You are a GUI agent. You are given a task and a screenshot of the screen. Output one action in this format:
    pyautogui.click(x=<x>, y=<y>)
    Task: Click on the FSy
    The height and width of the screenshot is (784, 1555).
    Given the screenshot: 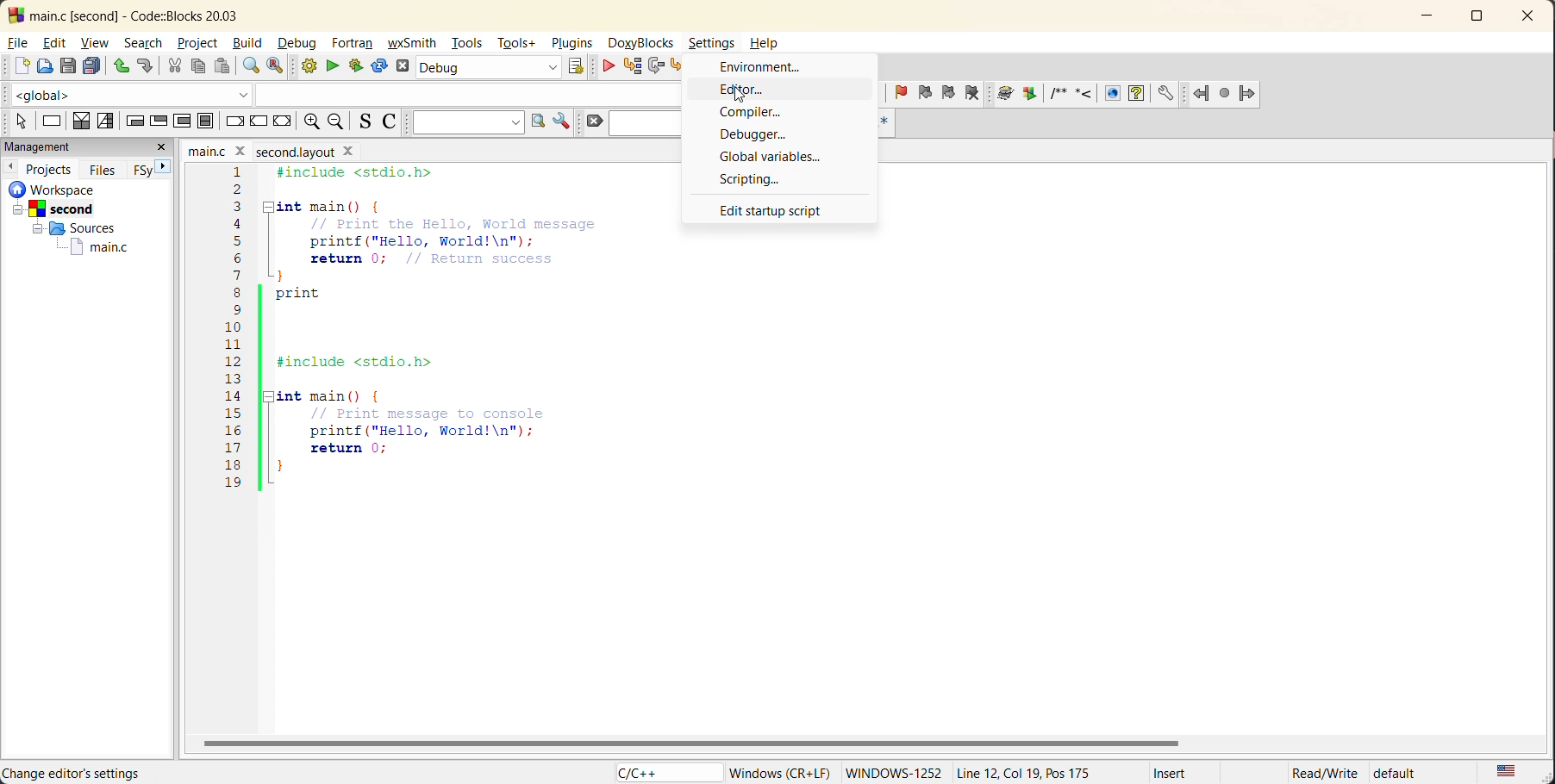 What is the action you would take?
    pyautogui.click(x=142, y=169)
    